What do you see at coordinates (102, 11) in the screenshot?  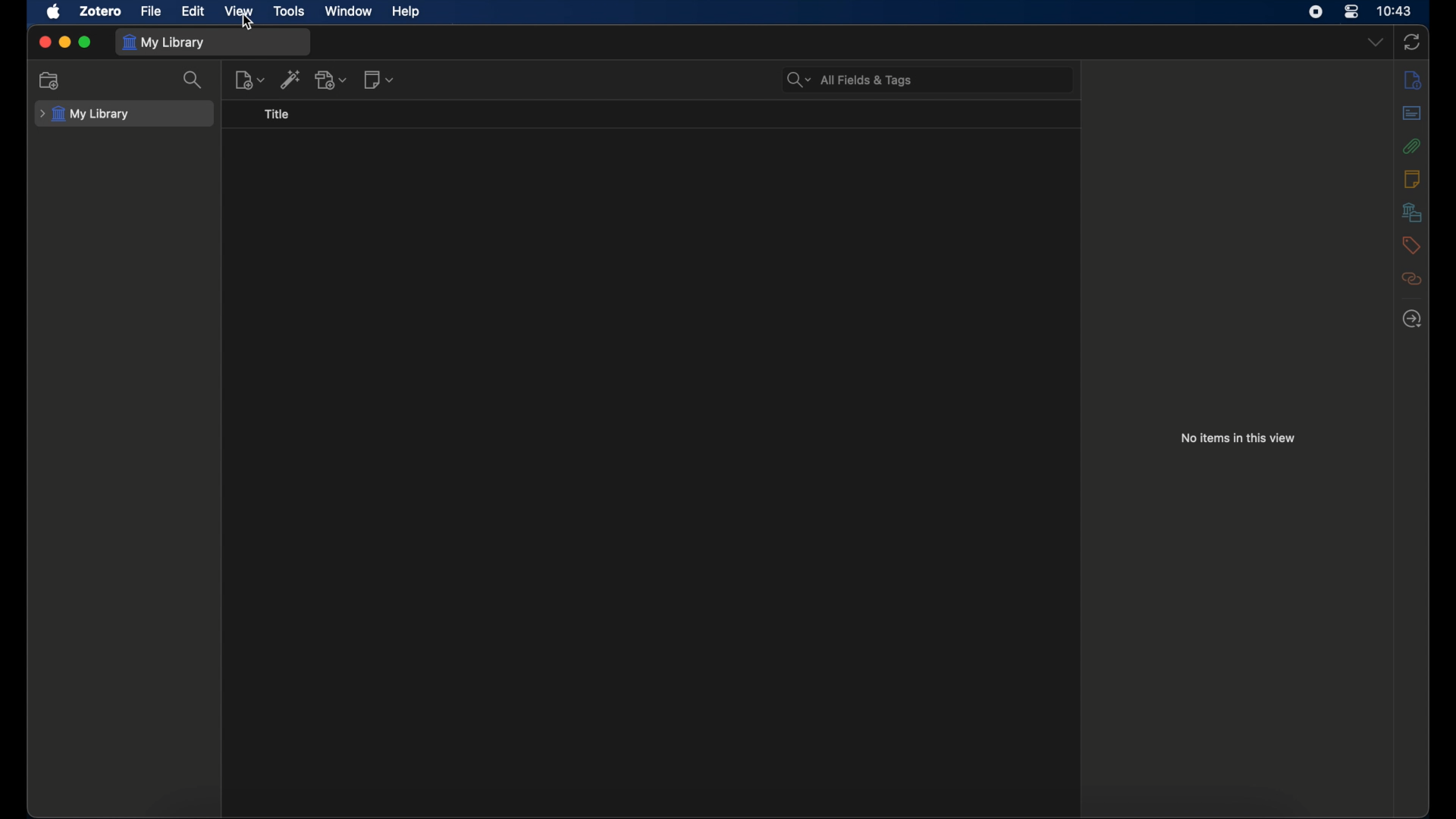 I see `zotero` at bounding box center [102, 11].